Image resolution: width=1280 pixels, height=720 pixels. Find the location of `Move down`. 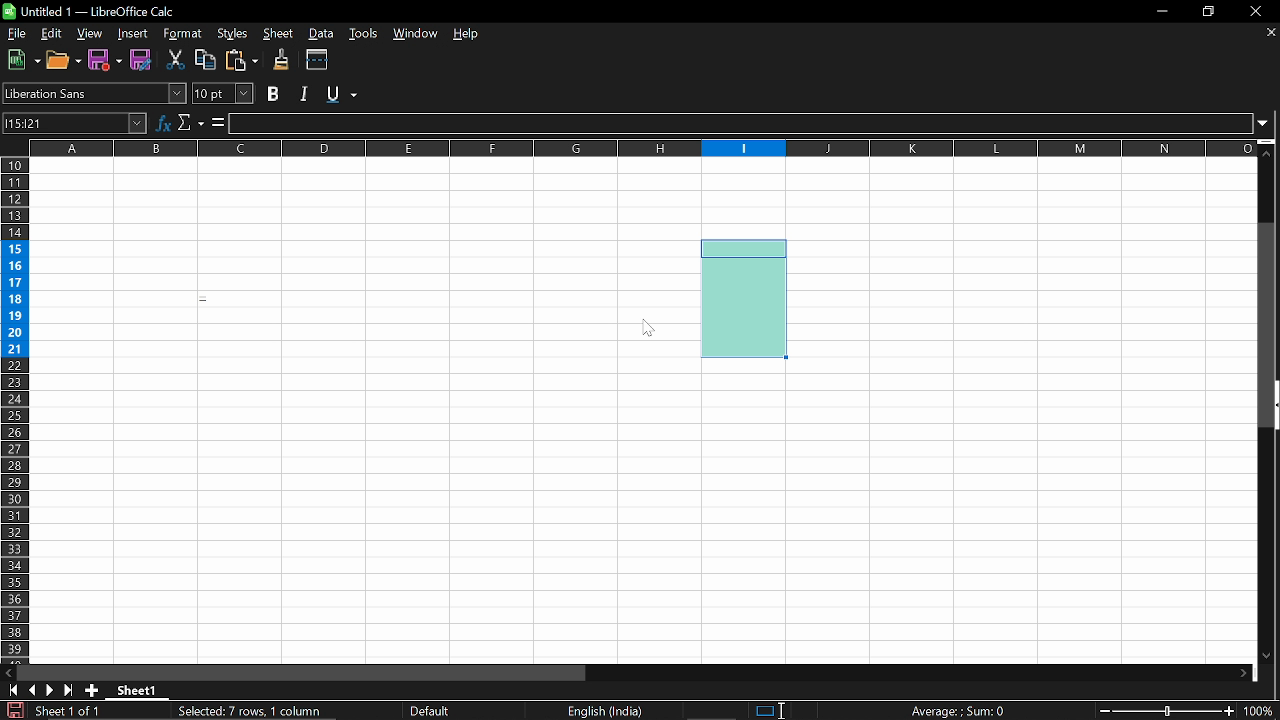

Move down is located at coordinates (1272, 656).